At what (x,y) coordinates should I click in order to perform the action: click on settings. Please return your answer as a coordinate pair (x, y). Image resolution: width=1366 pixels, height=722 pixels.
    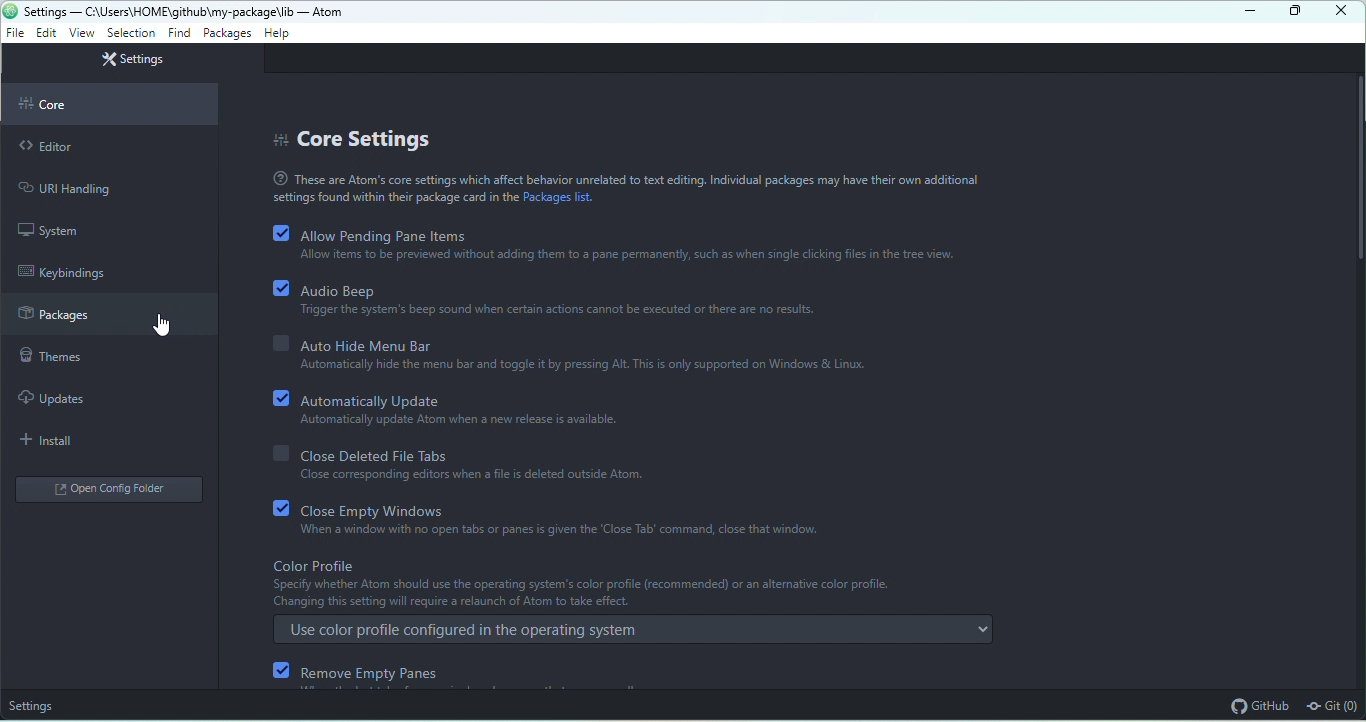
    Looking at the image, I should click on (35, 705).